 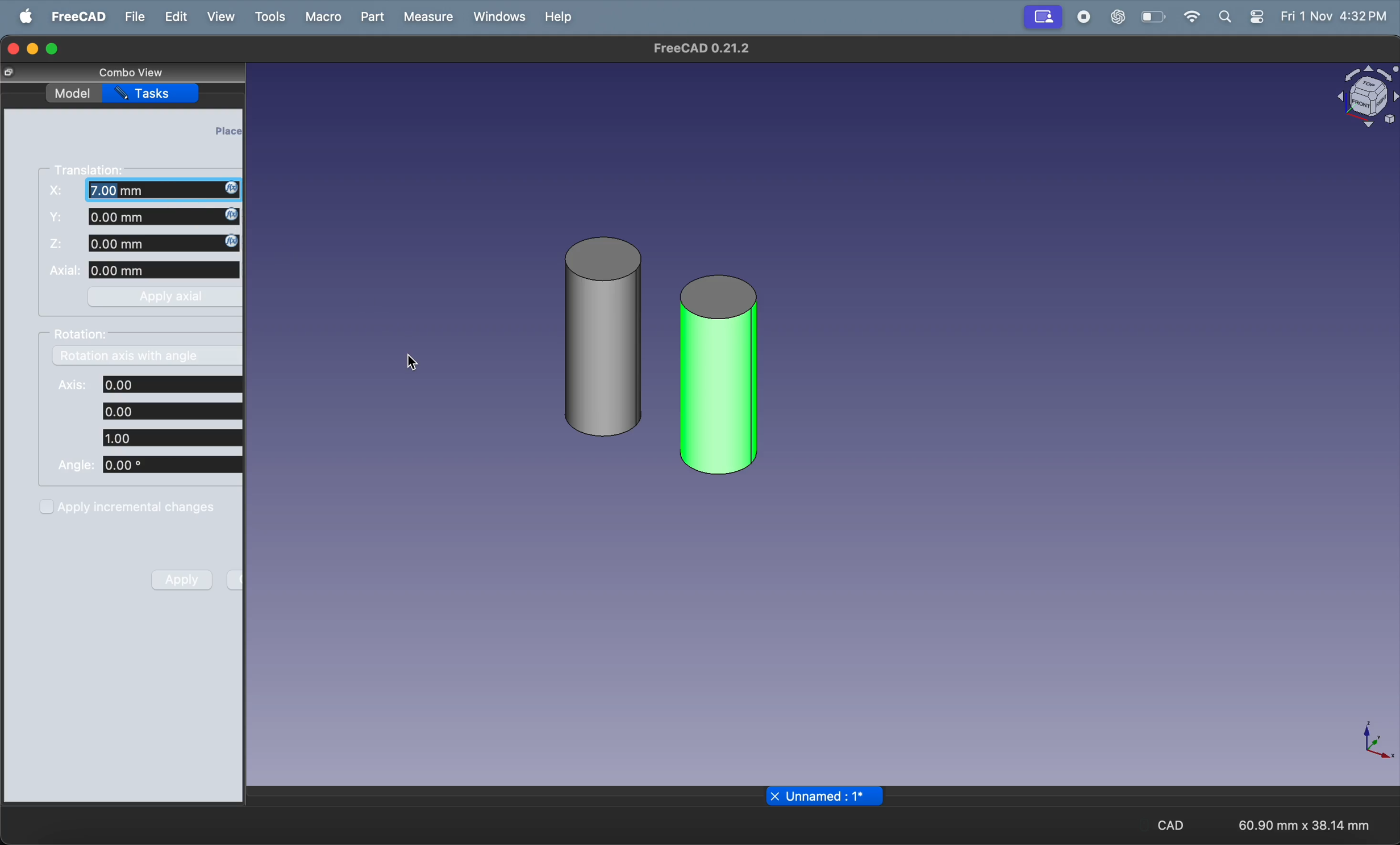 I want to click on CAD, so click(x=1163, y=824).